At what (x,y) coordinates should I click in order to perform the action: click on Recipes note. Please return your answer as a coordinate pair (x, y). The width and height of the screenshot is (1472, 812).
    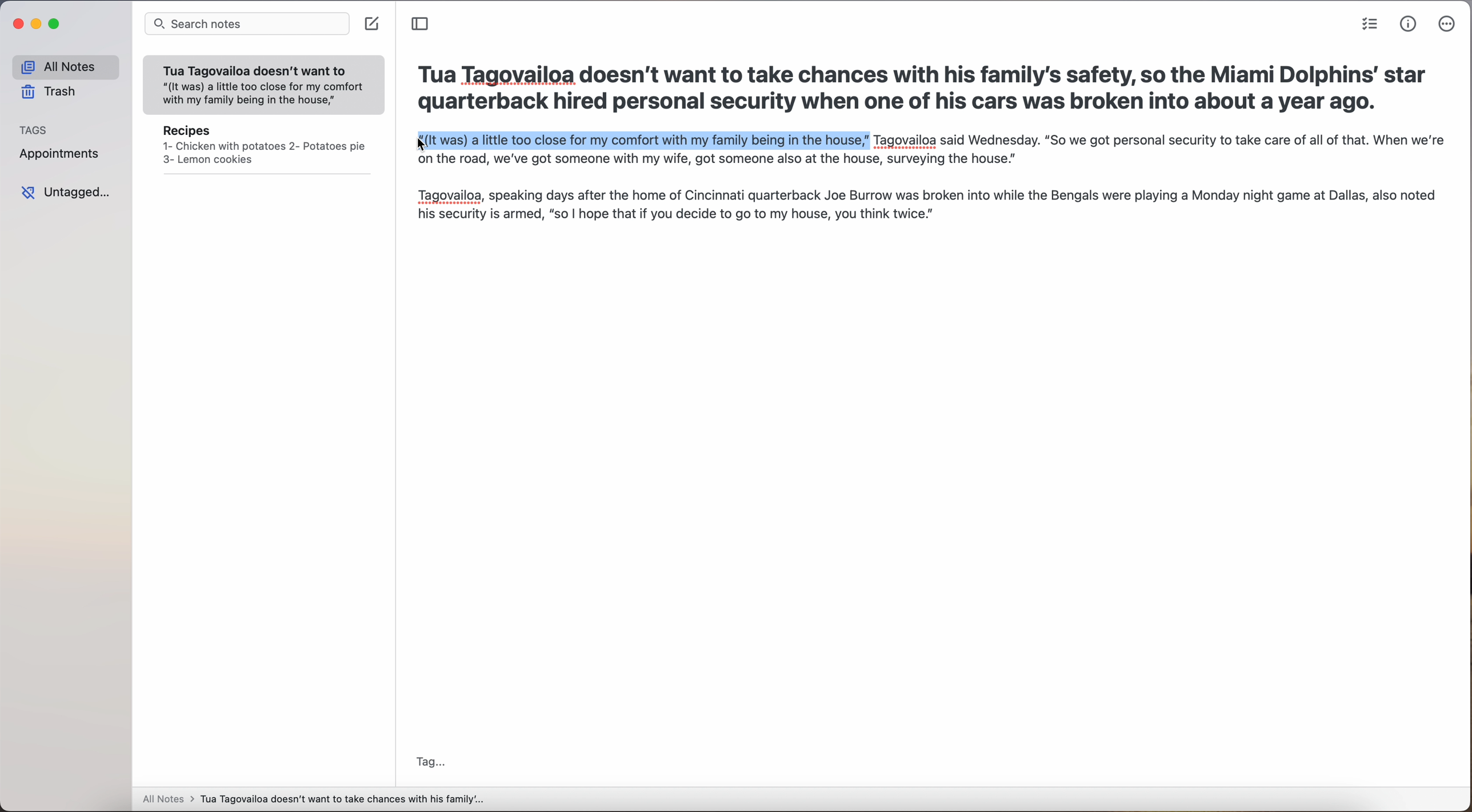
    Looking at the image, I should click on (264, 149).